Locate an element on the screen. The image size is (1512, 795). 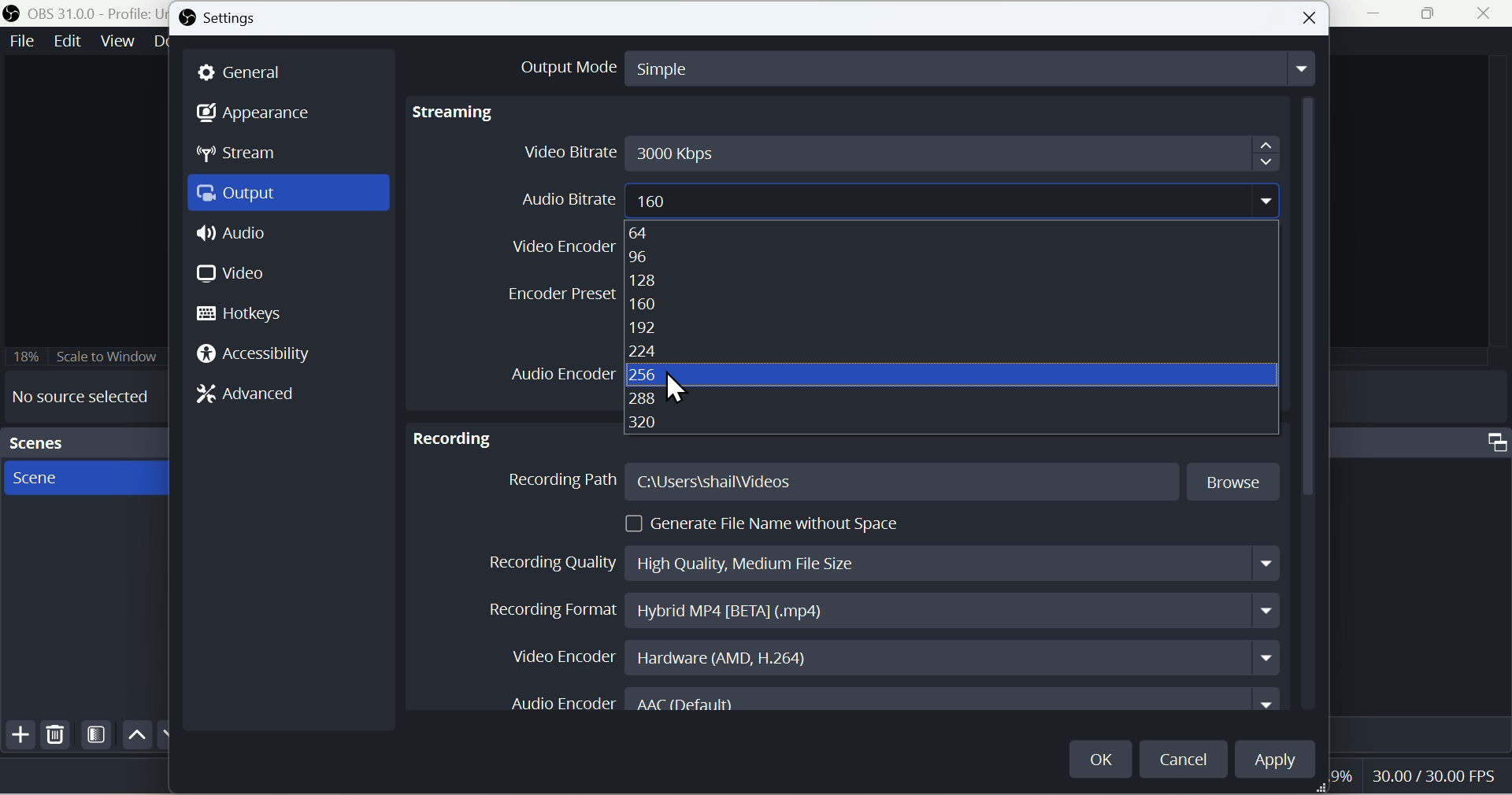
Delete is located at coordinates (56, 738).